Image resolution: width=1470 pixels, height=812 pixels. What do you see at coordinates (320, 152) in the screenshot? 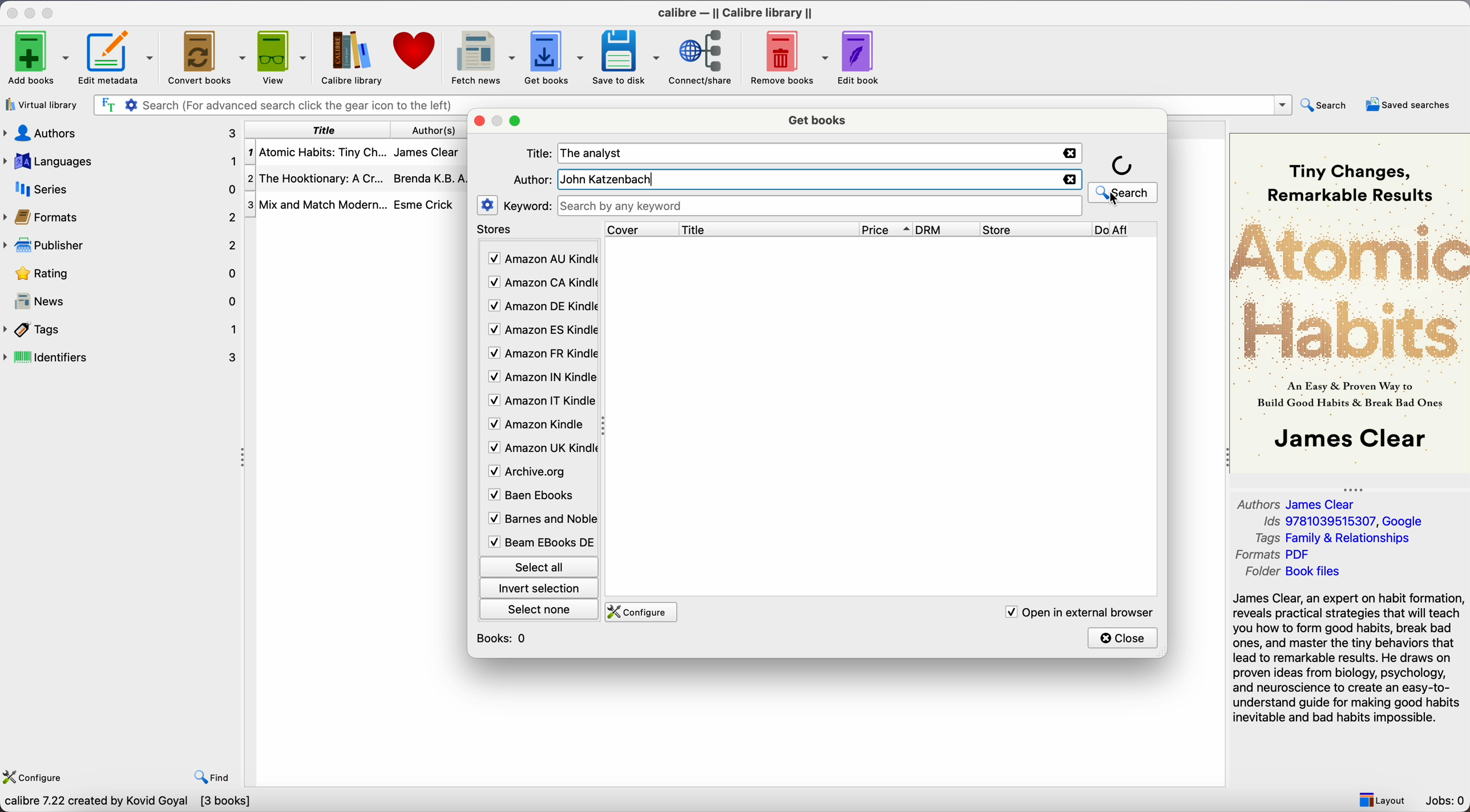
I see `Atomic Habits: Tiny Ch...` at bounding box center [320, 152].